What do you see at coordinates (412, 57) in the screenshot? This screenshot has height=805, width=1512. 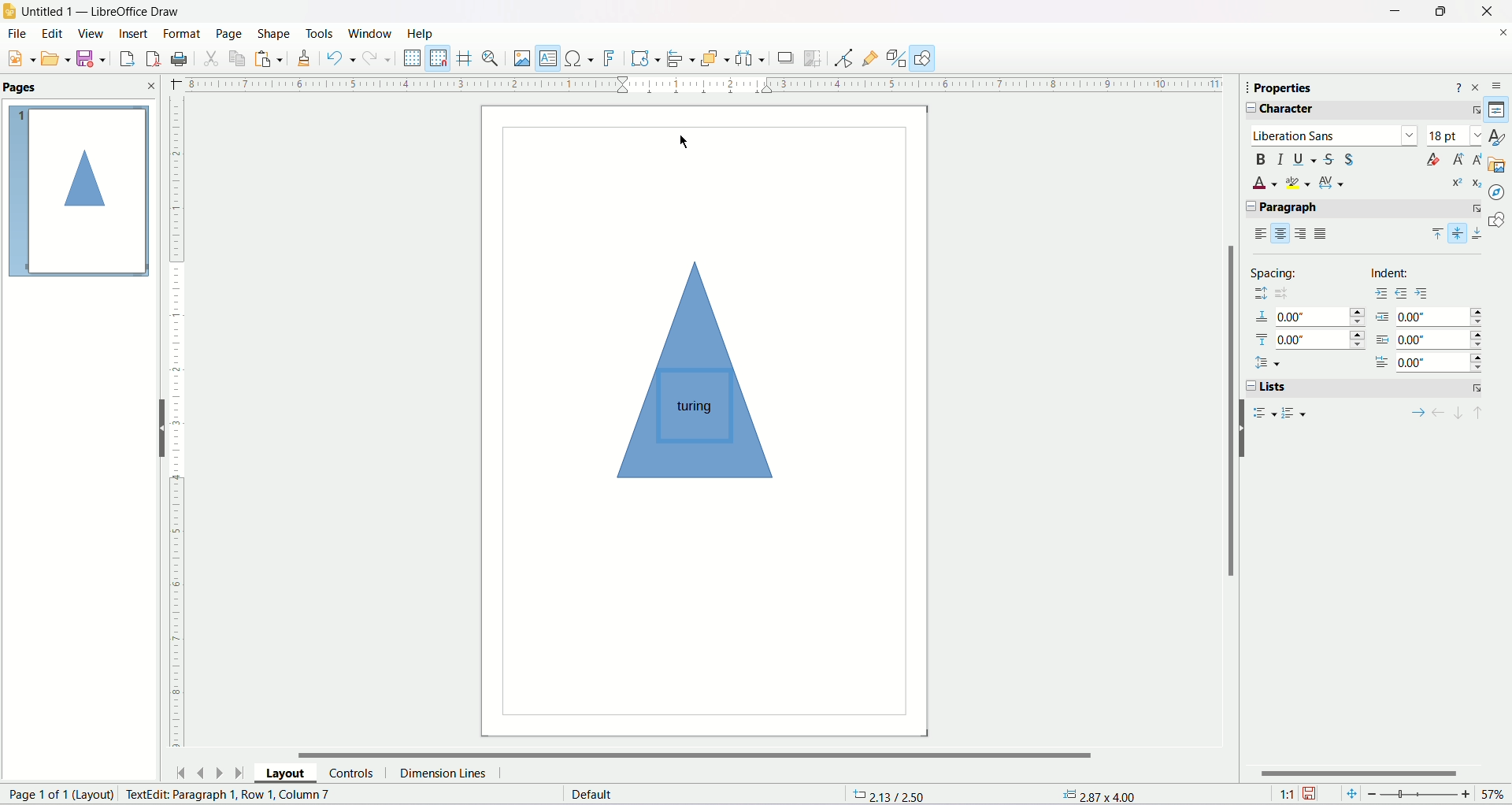 I see `Display Grid` at bounding box center [412, 57].